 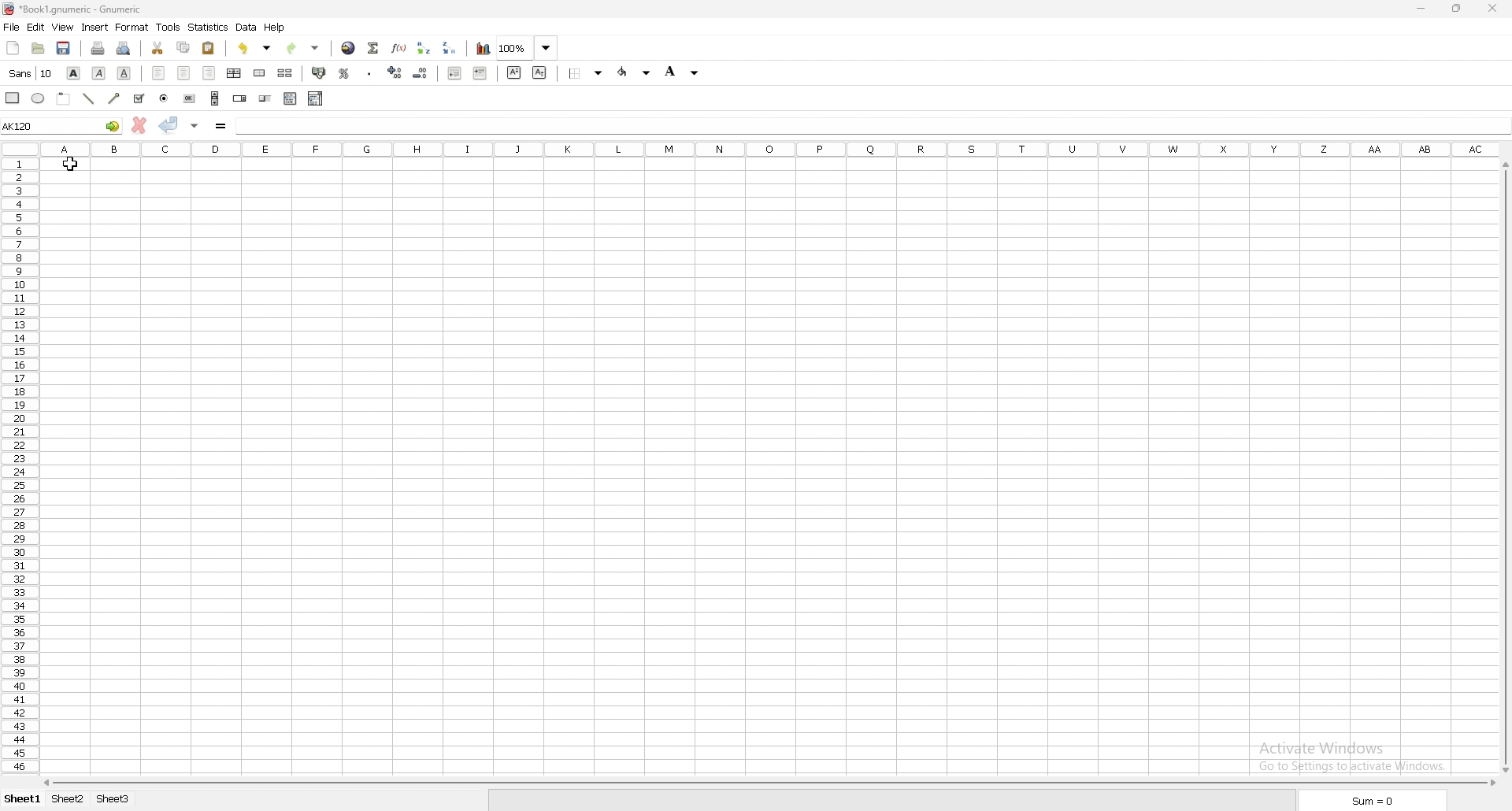 I want to click on cancel changes, so click(x=142, y=125).